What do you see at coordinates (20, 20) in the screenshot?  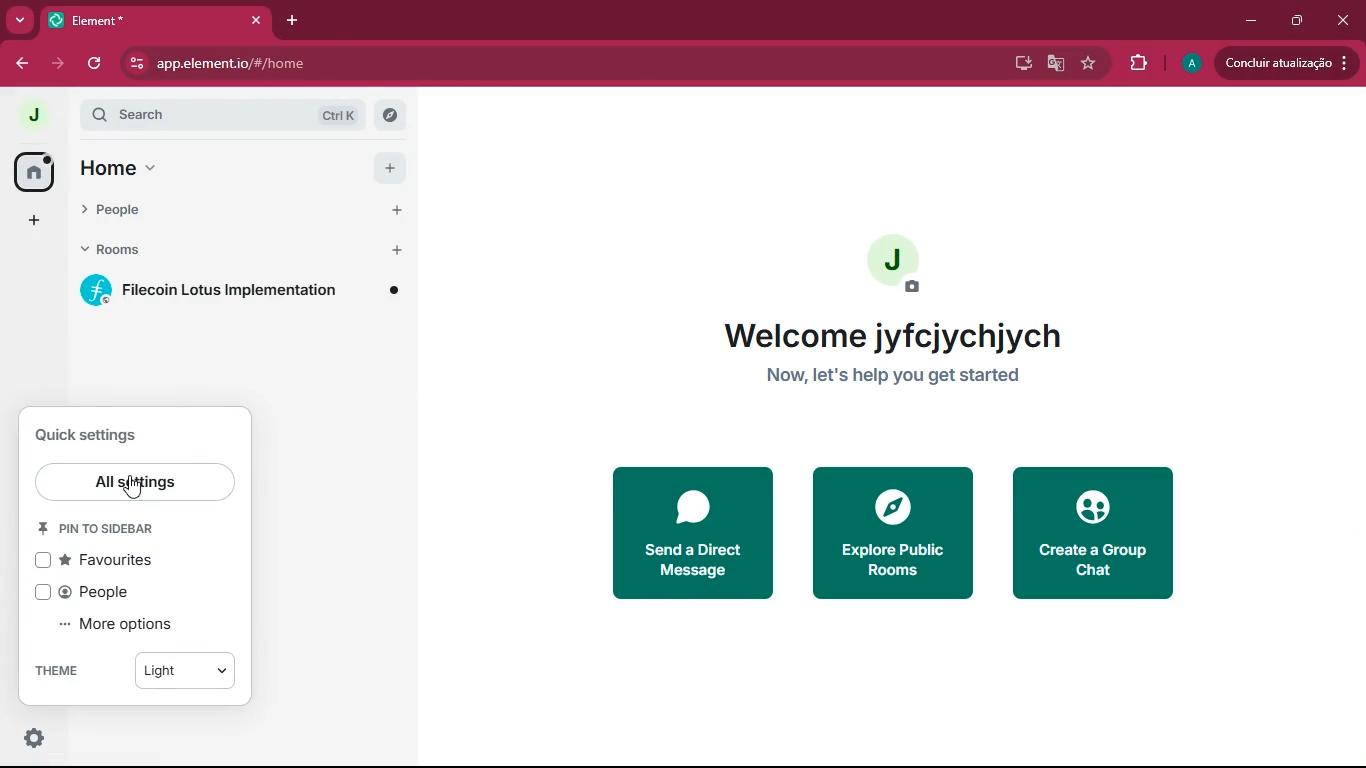 I see `more` at bounding box center [20, 20].